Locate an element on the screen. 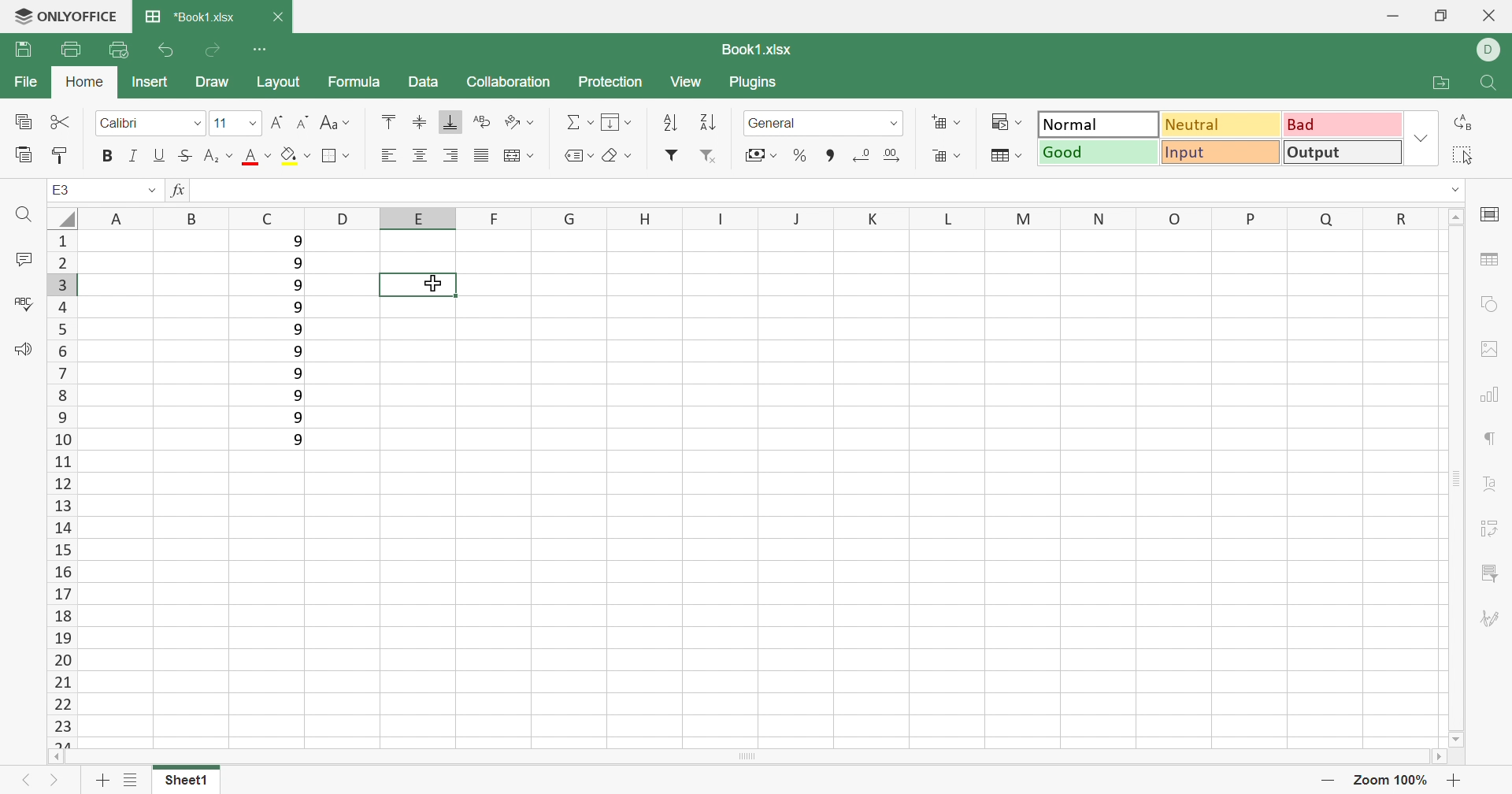  Previous is located at coordinates (26, 781).